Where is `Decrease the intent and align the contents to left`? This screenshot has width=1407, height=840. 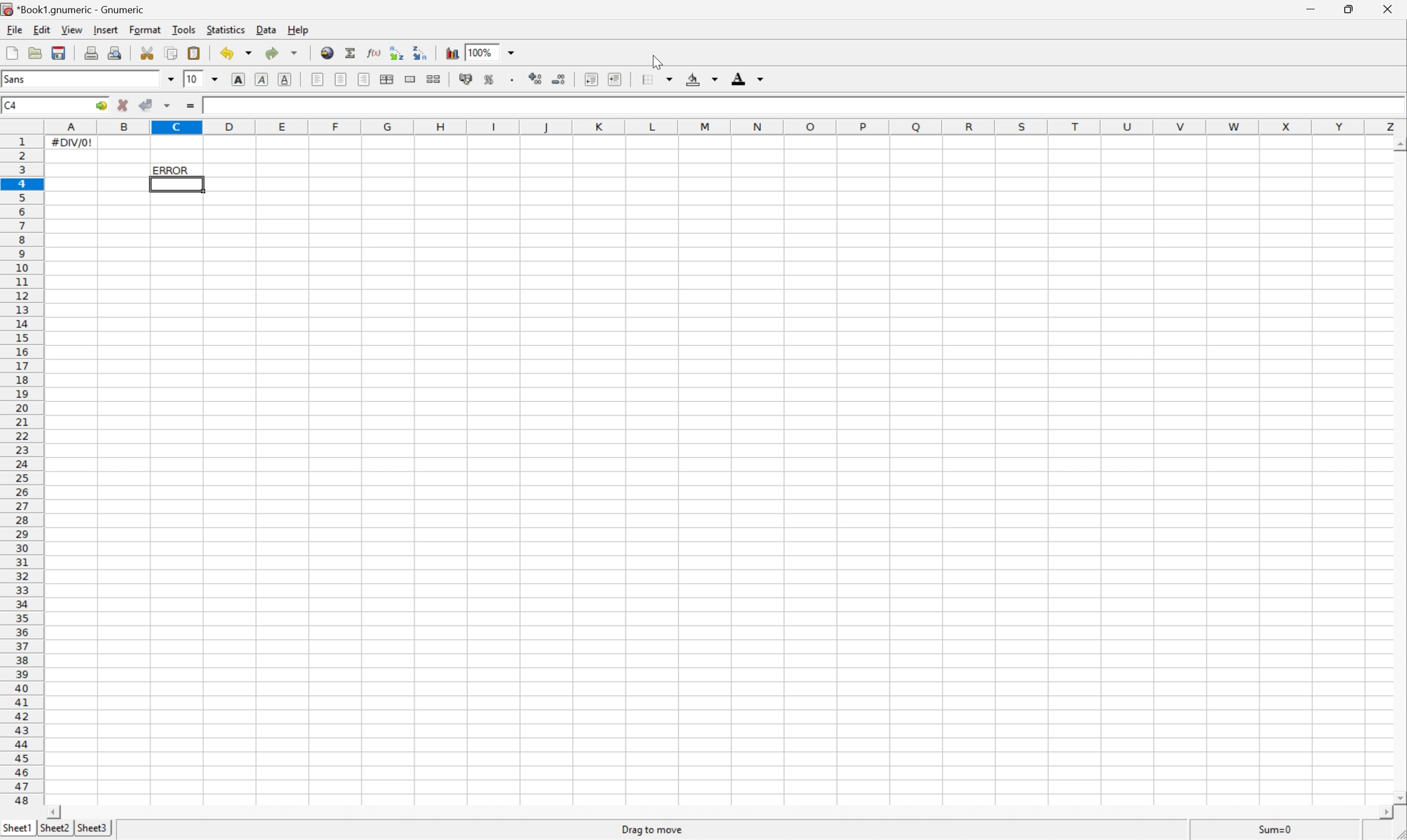
Decrease the intent and align the contents to left is located at coordinates (594, 79).